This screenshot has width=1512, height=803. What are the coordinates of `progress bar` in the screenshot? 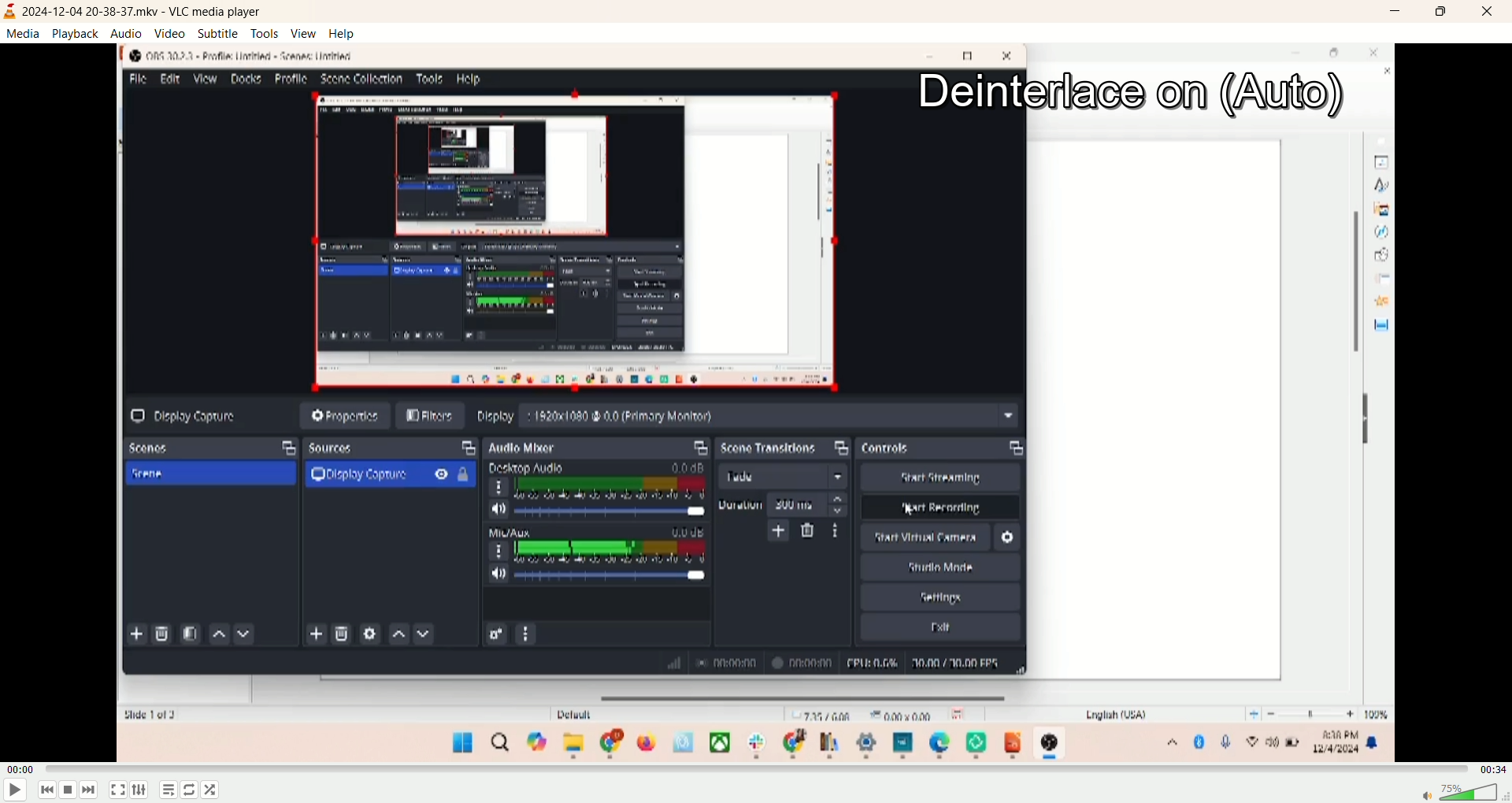 It's located at (758, 769).